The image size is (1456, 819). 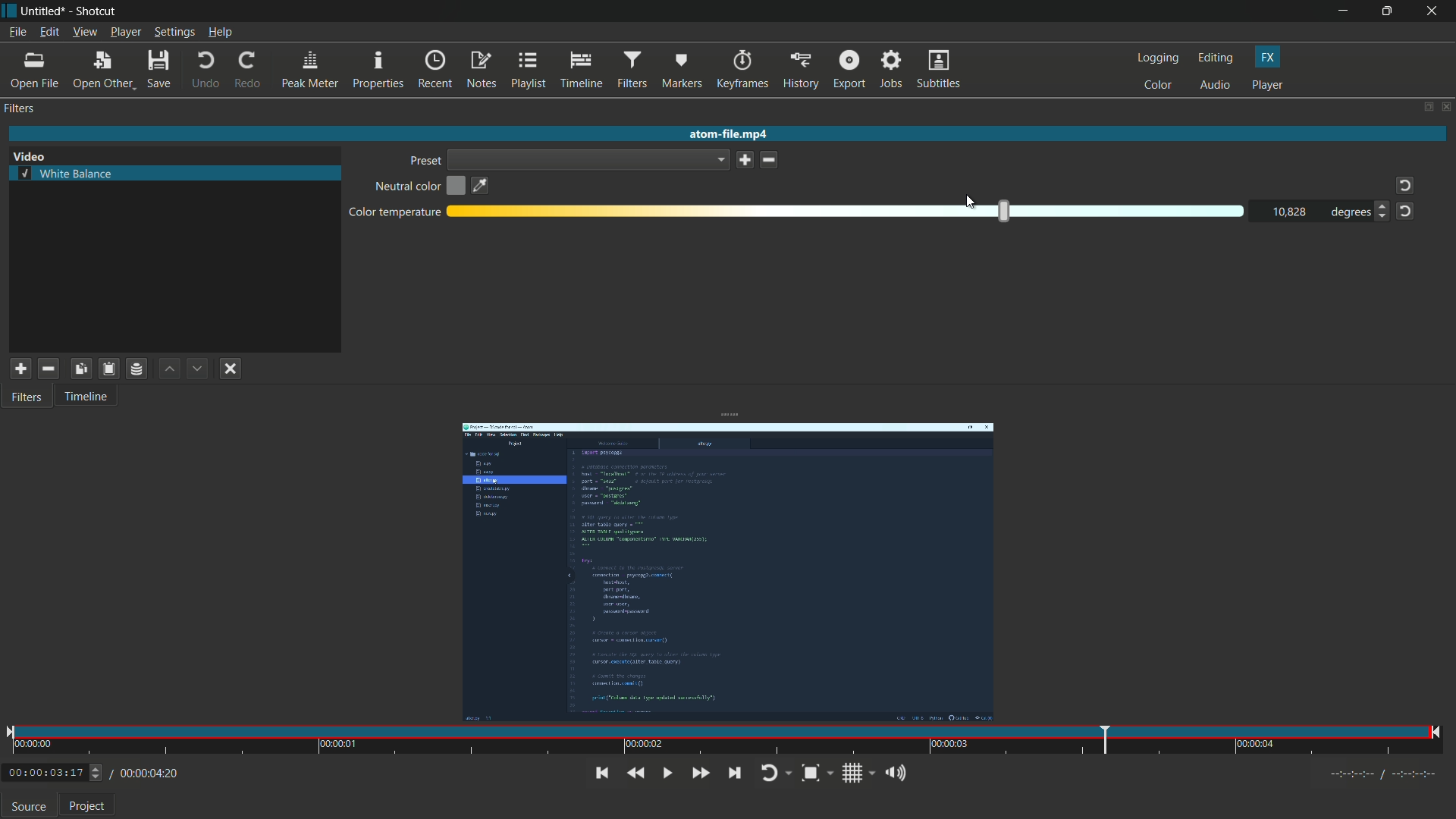 What do you see at coordinates (777, 773) in the screenshot?
I see `toggle player looping` at bounding box center [777, 773].